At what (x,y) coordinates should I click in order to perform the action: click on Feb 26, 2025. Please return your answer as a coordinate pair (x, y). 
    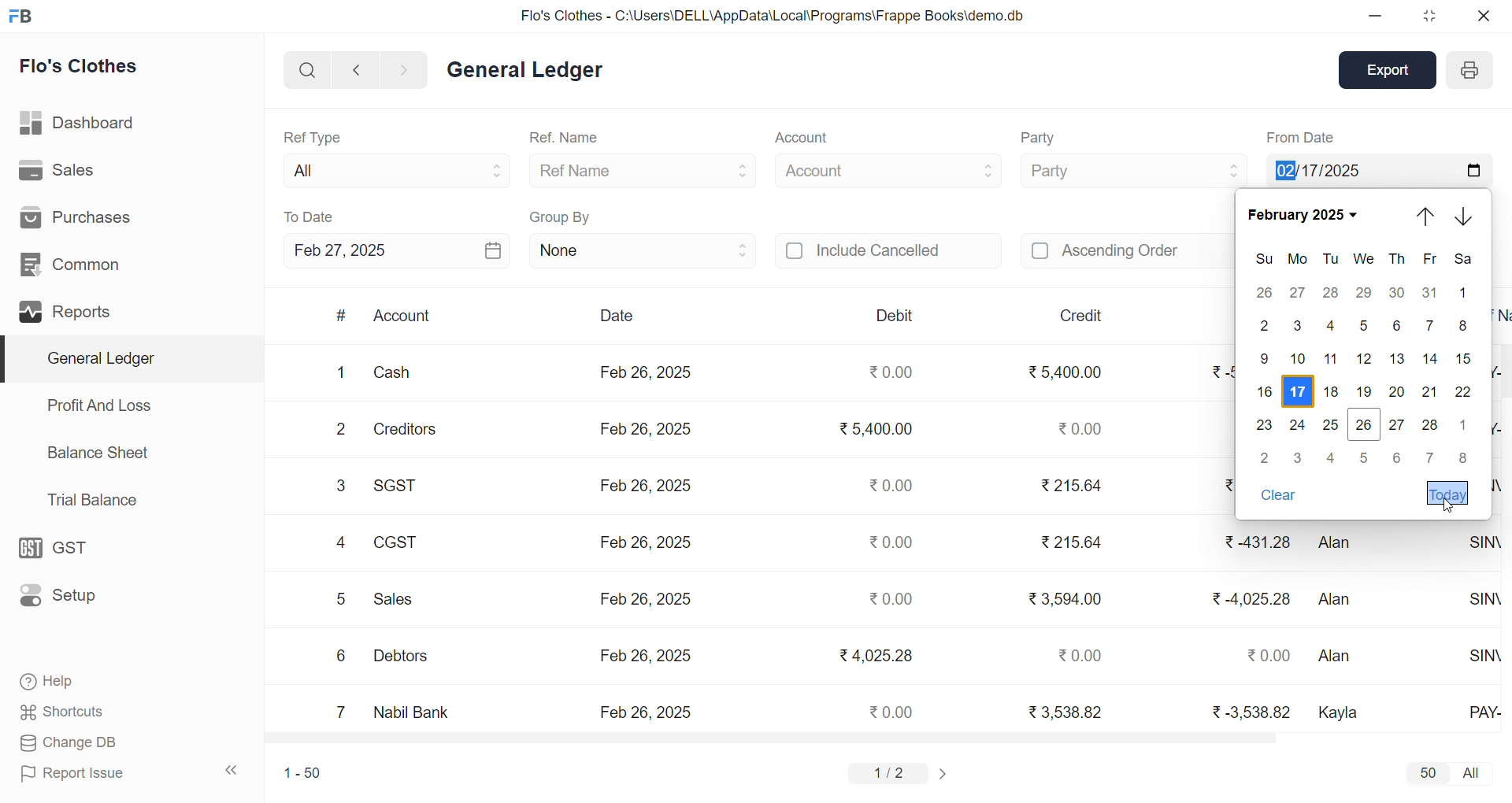
    Looking at the image, I should click on (649, 430).